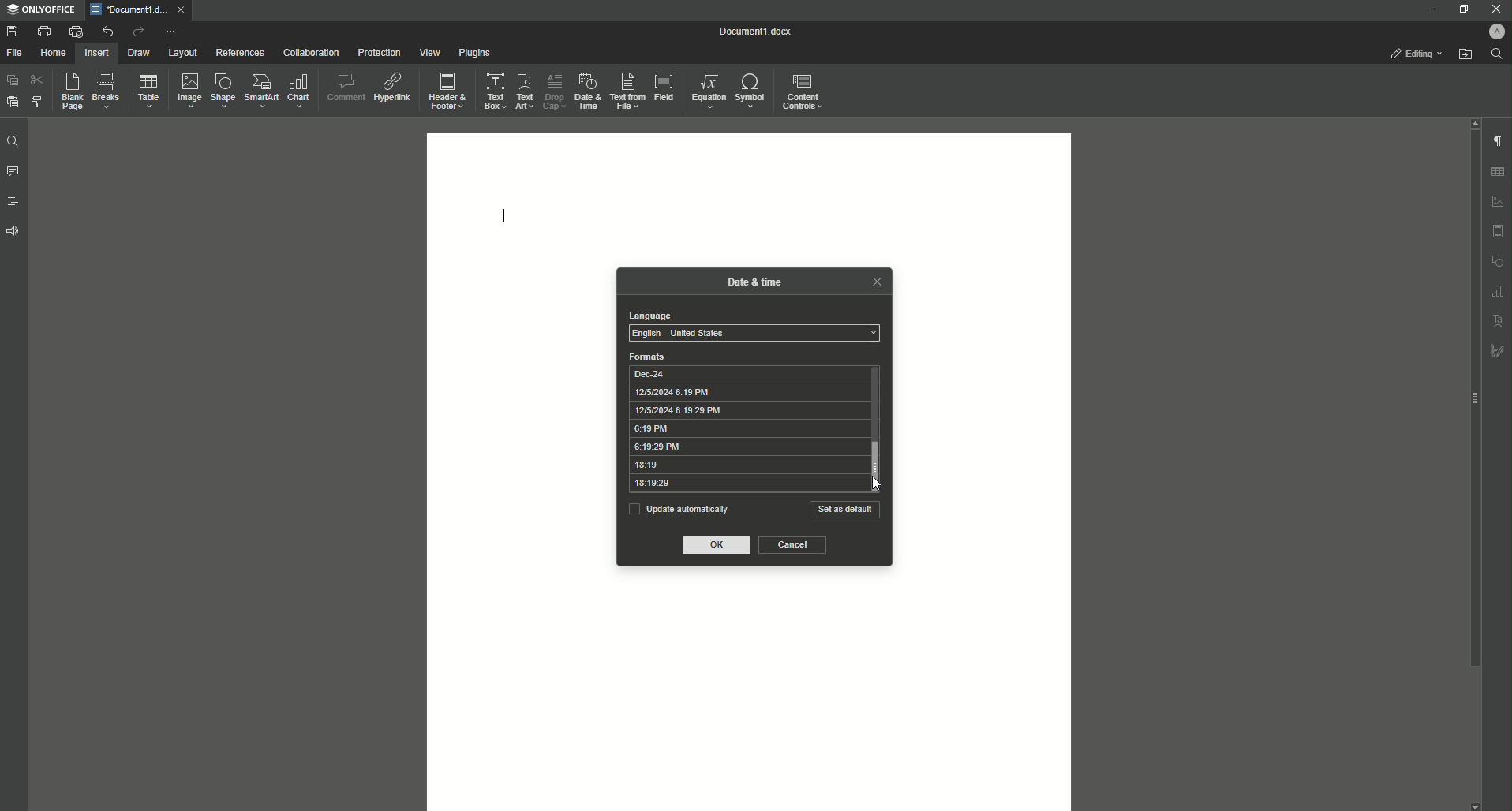  Describe the element at coordinates (1496, 54) in the screenshot. I see `Find` at that location.